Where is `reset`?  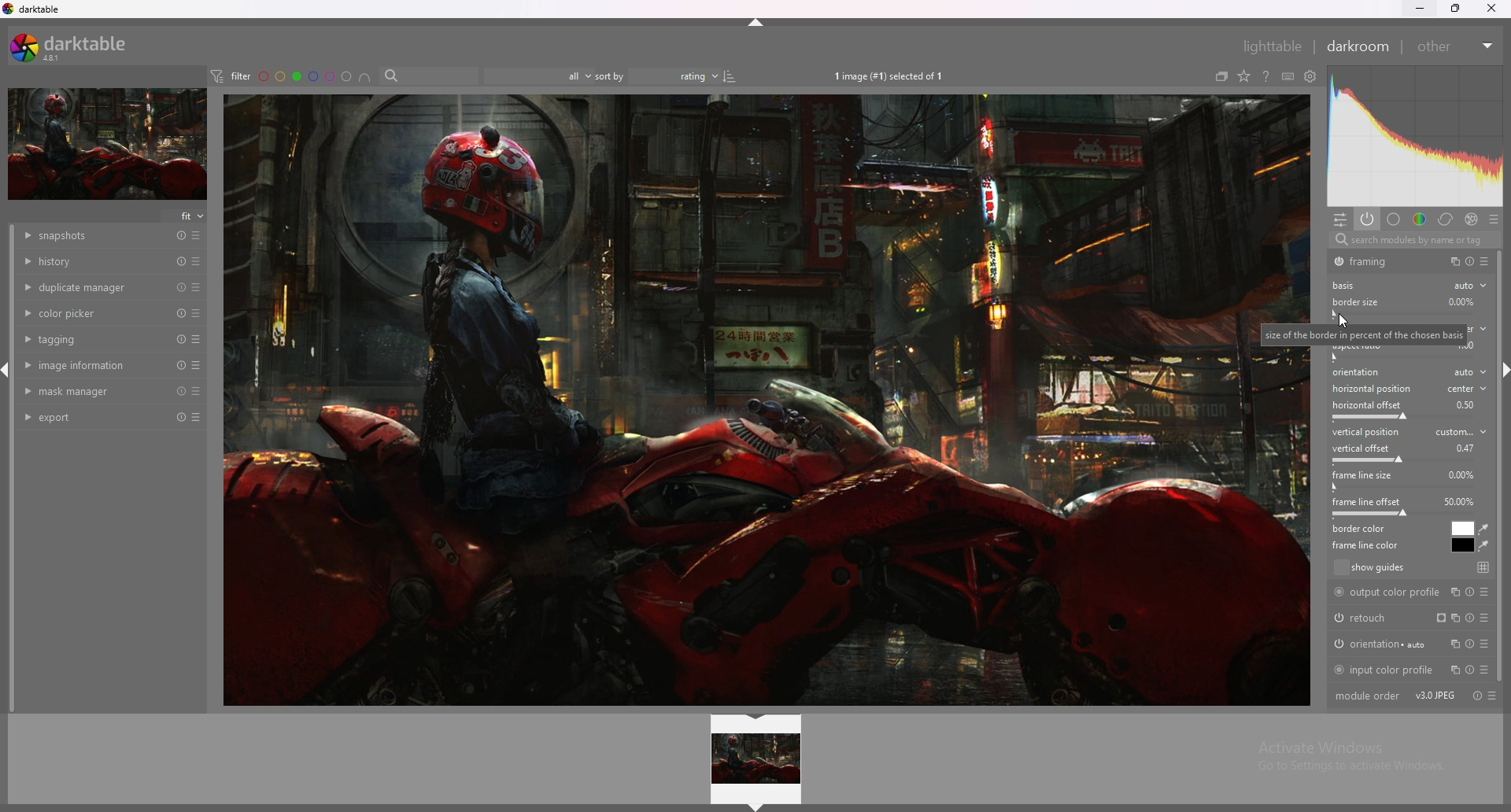 reset is located at coordinates (181, 287).